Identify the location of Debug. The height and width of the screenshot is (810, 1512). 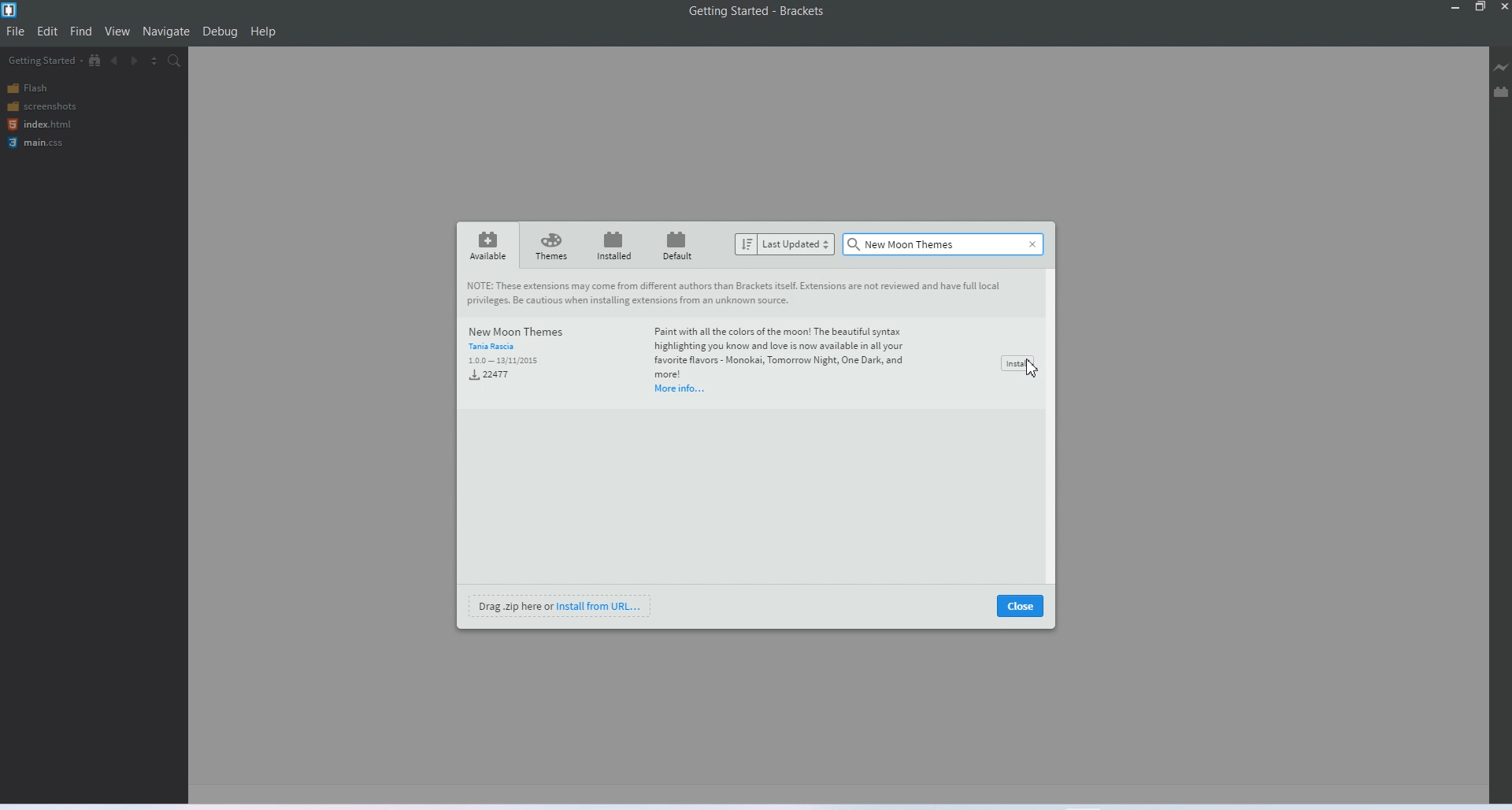
(220, 32).